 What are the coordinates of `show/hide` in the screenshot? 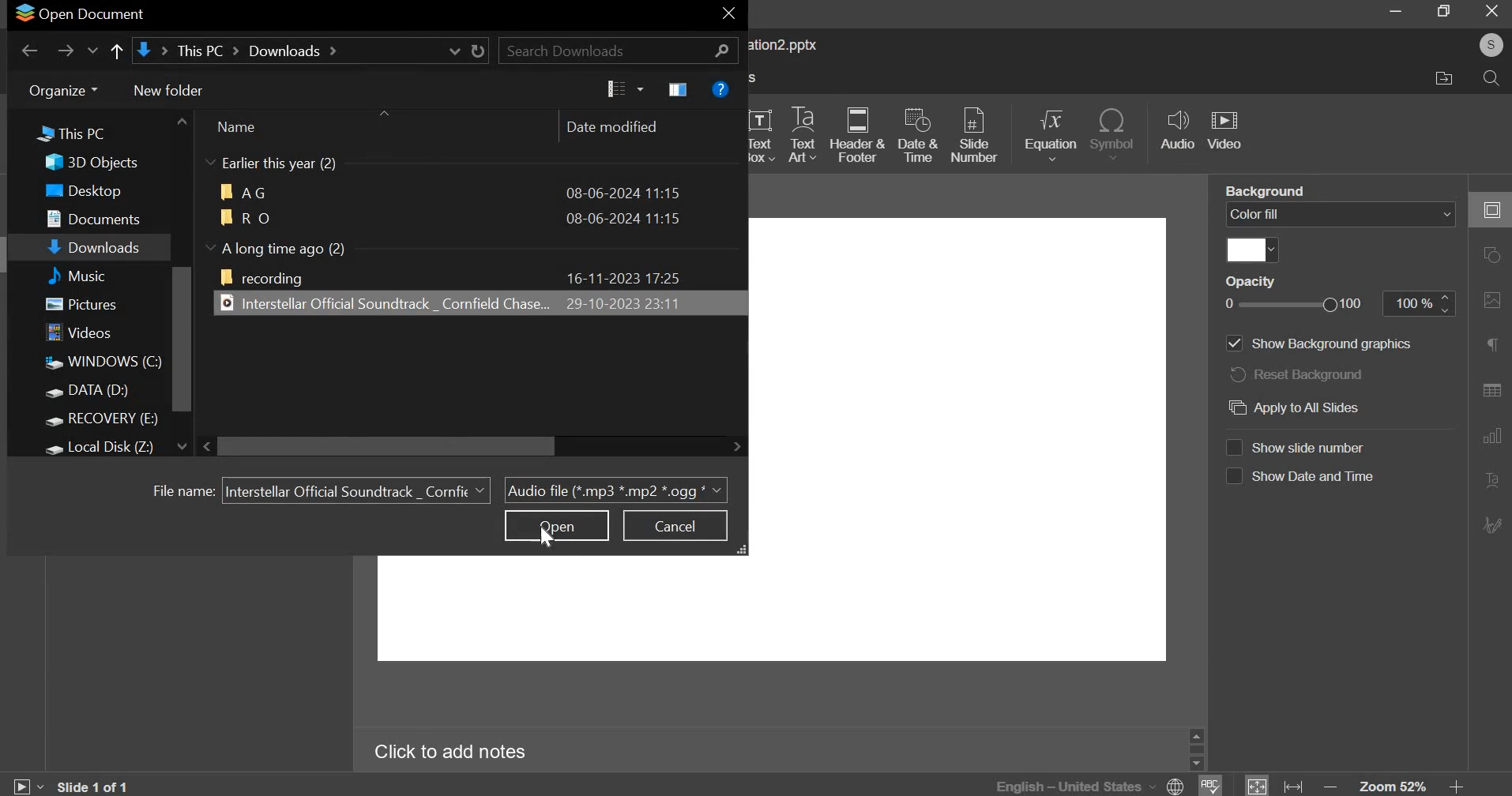 It's located at (210, 246).